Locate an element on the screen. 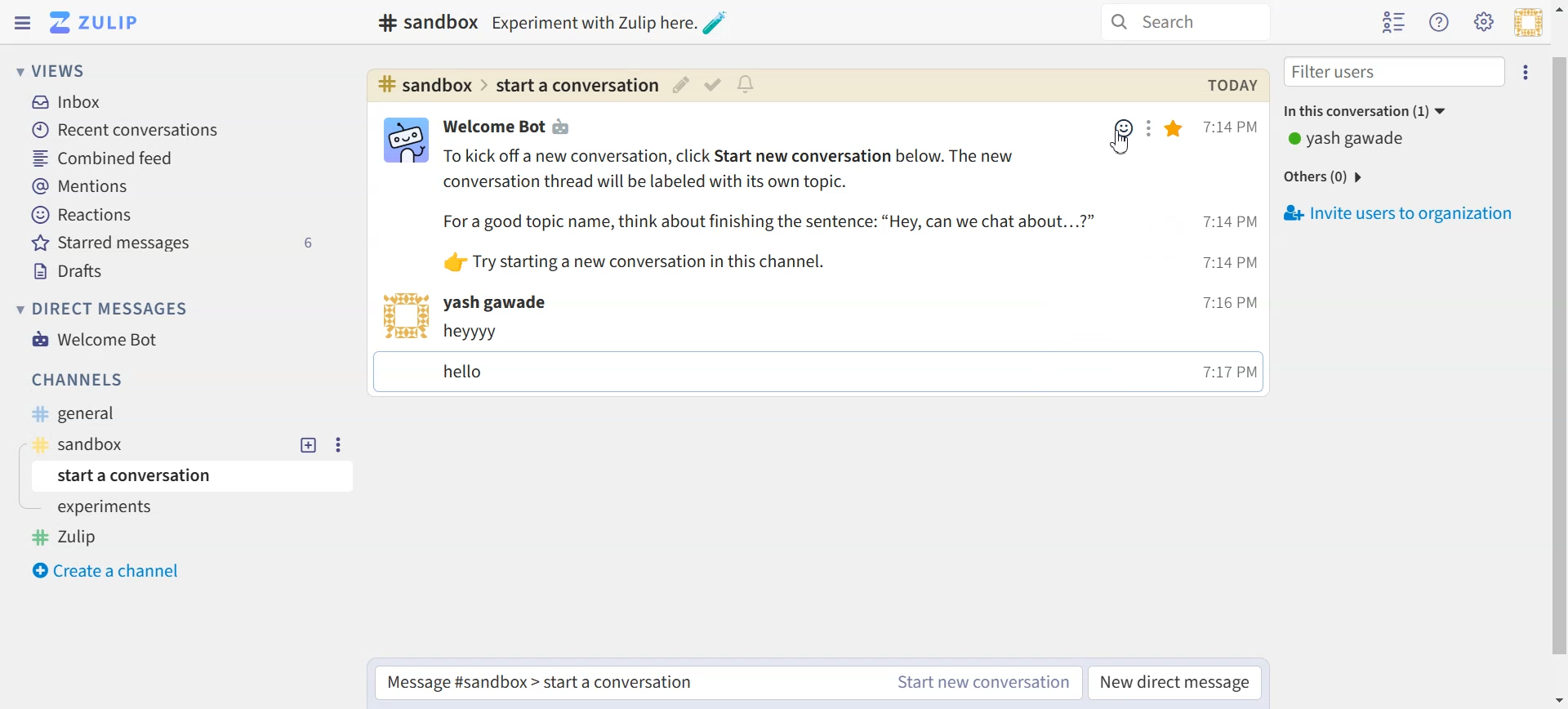 Image resolution: width=1568 pixels, height=709 pixels. Text is located at coordinates (510, 126).